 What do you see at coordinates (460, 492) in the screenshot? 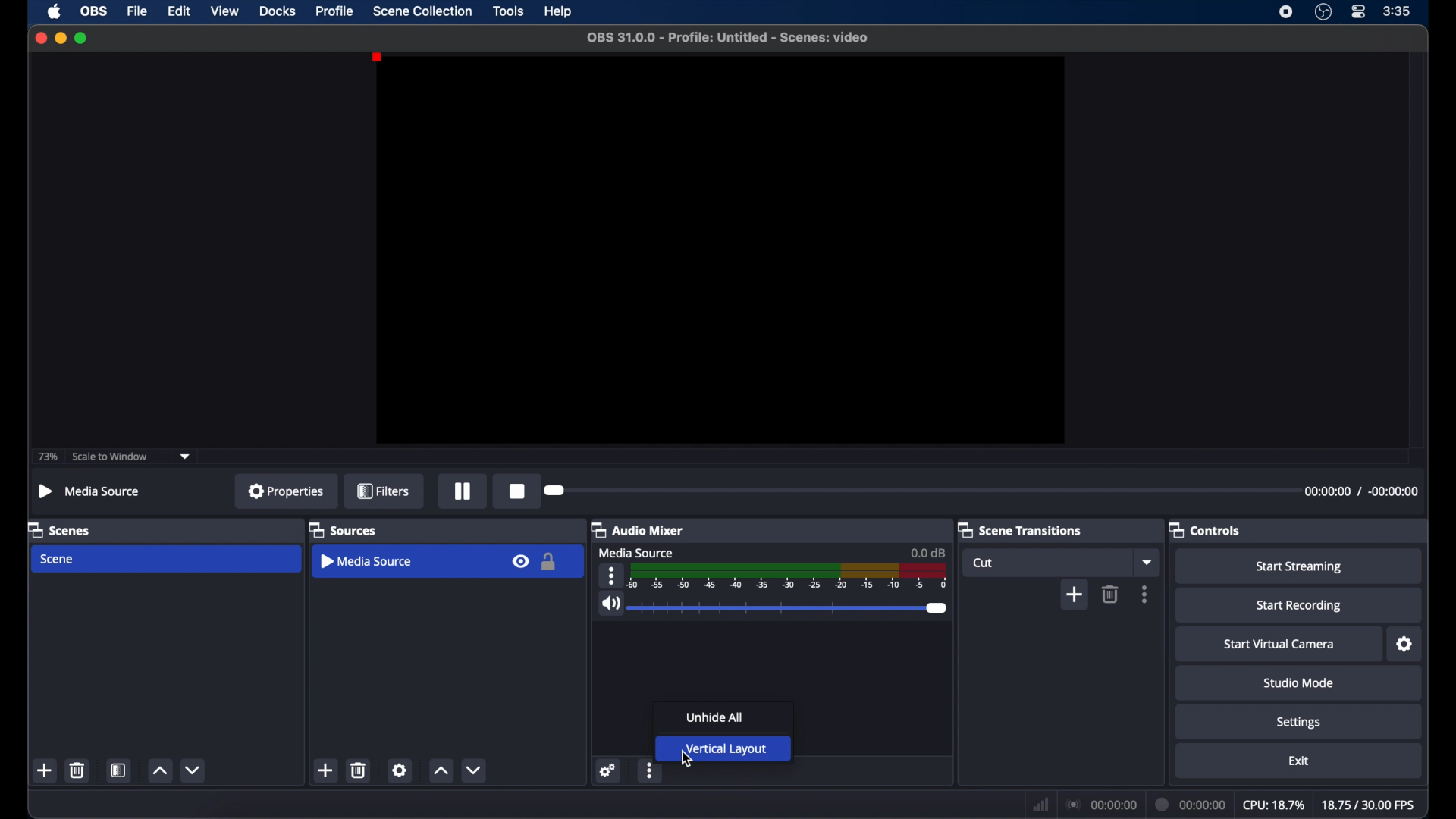
I see `Pause` at bounding box center [460, 492].